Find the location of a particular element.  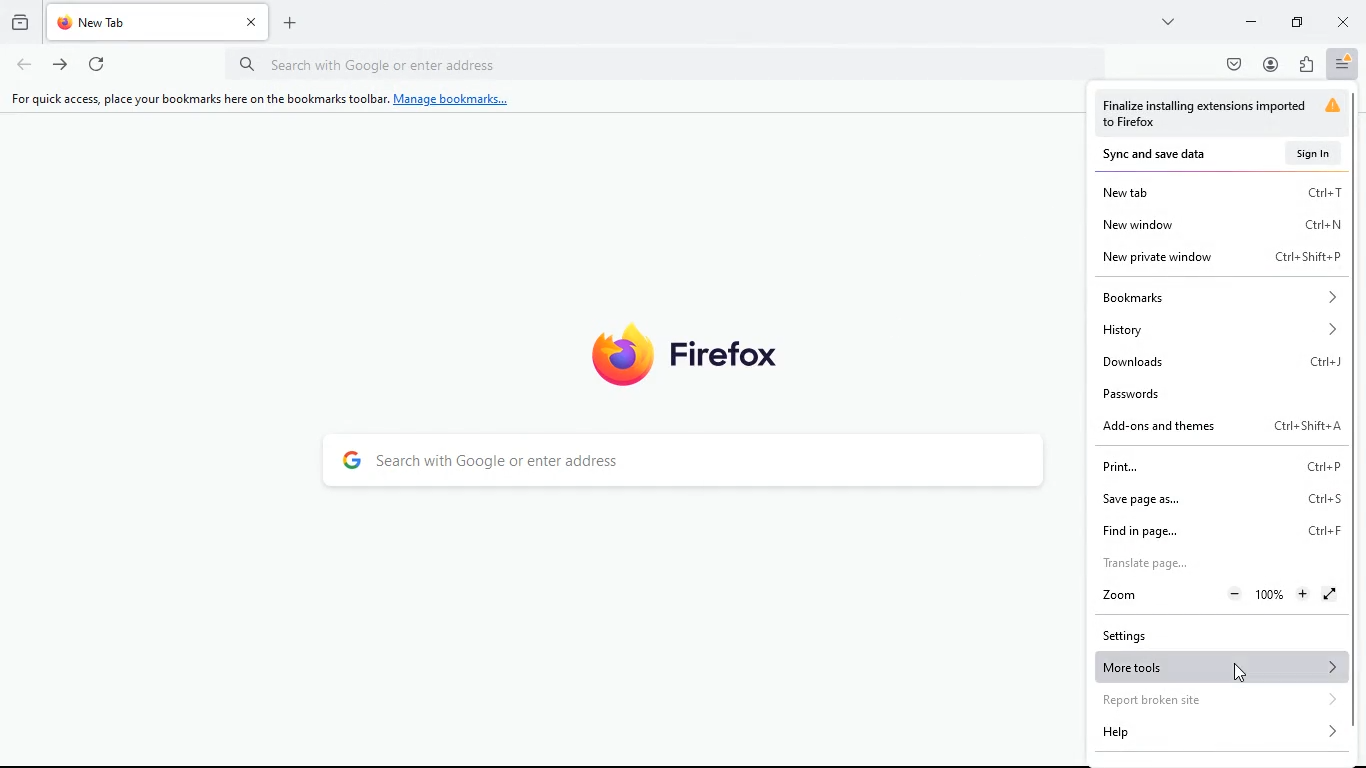

history is located at coordinates (20, 20).